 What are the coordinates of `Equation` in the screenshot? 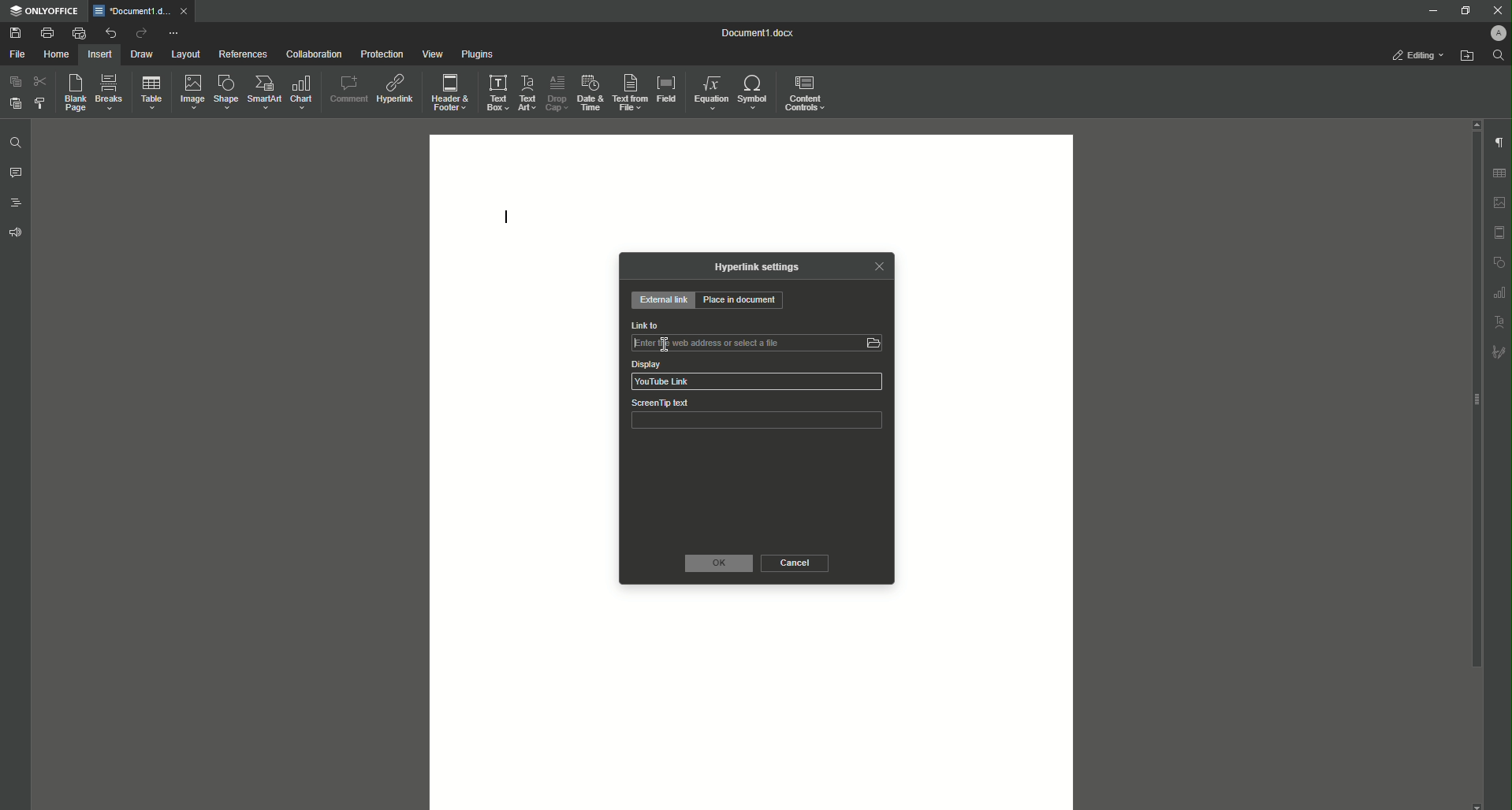 It's located at (711, 92).